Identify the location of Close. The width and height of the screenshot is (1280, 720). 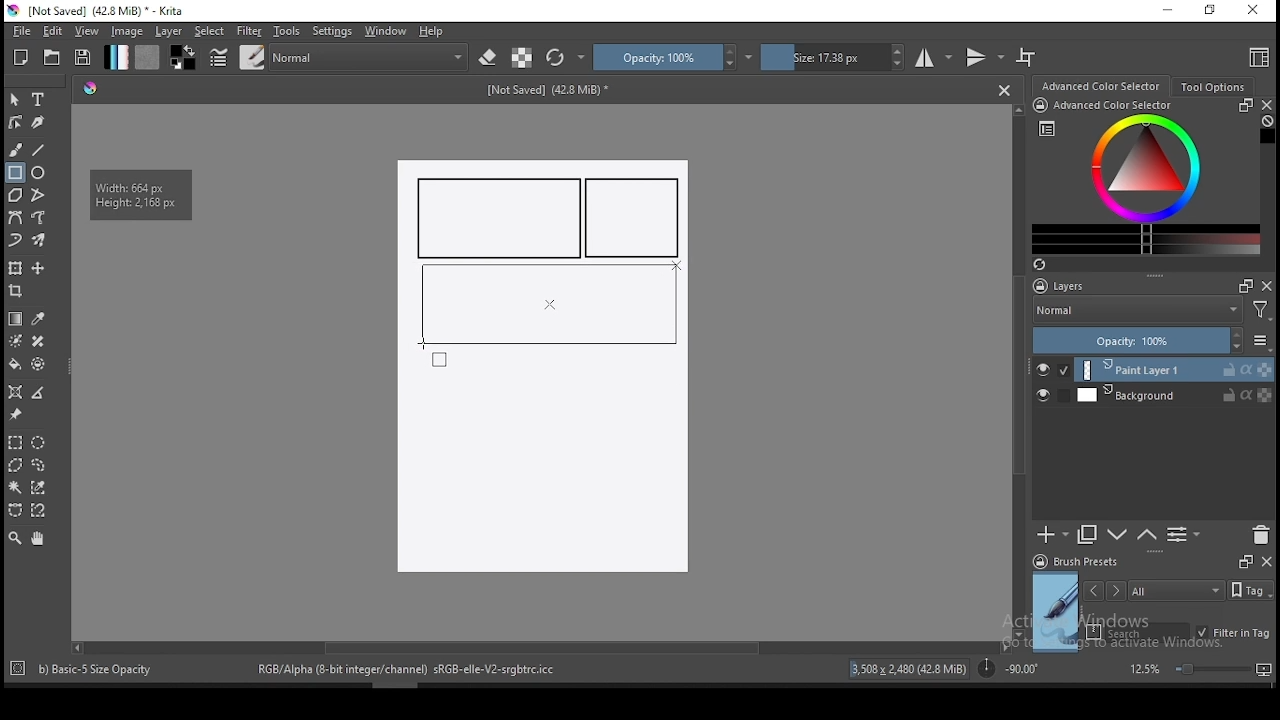
(1004, 89).